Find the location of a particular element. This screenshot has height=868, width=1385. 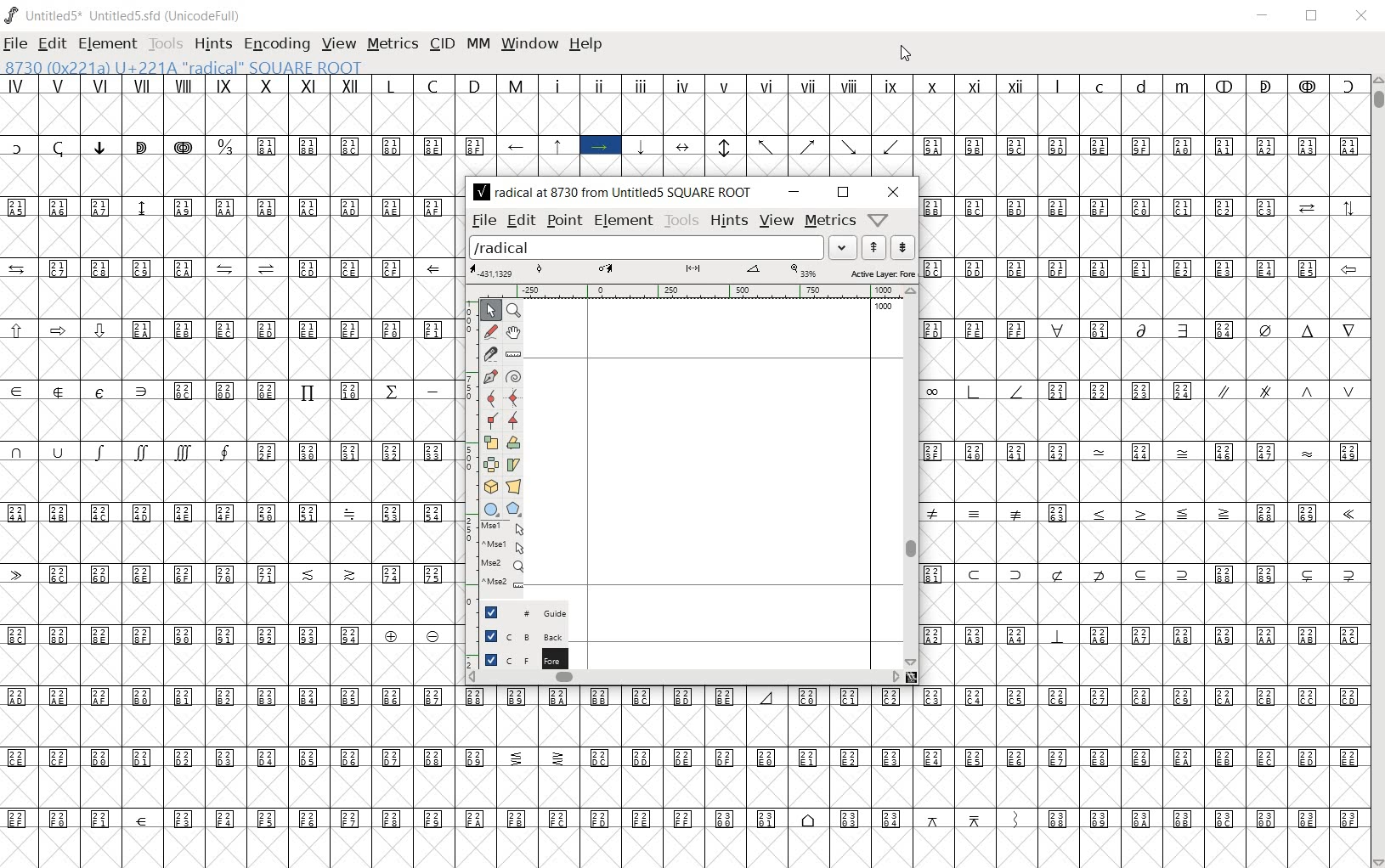

SCROLLBAR is located at coordinates (1377, 471).